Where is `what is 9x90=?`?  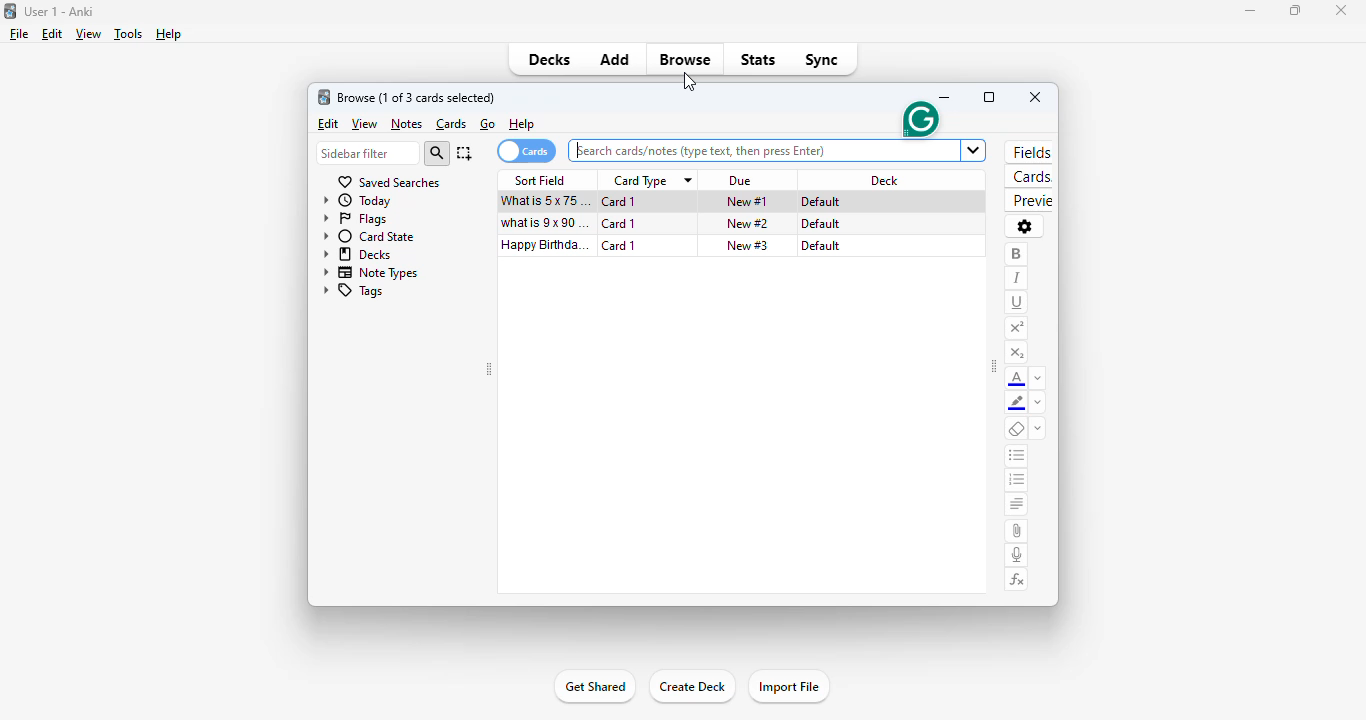 what is 9x90=? is located at coordinates (543, 222).